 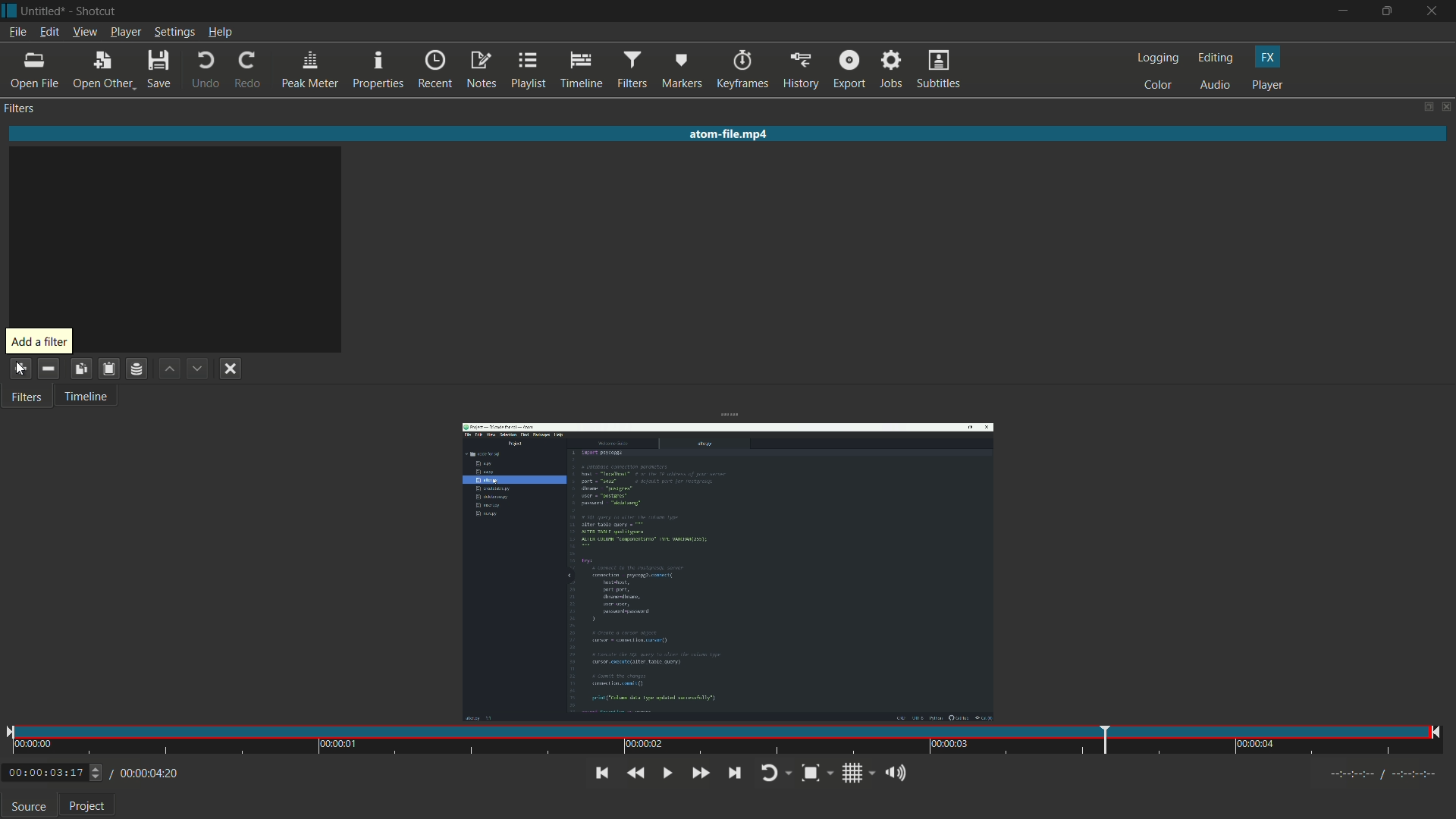 I want to click on editing, so click(x=1217, y=58).